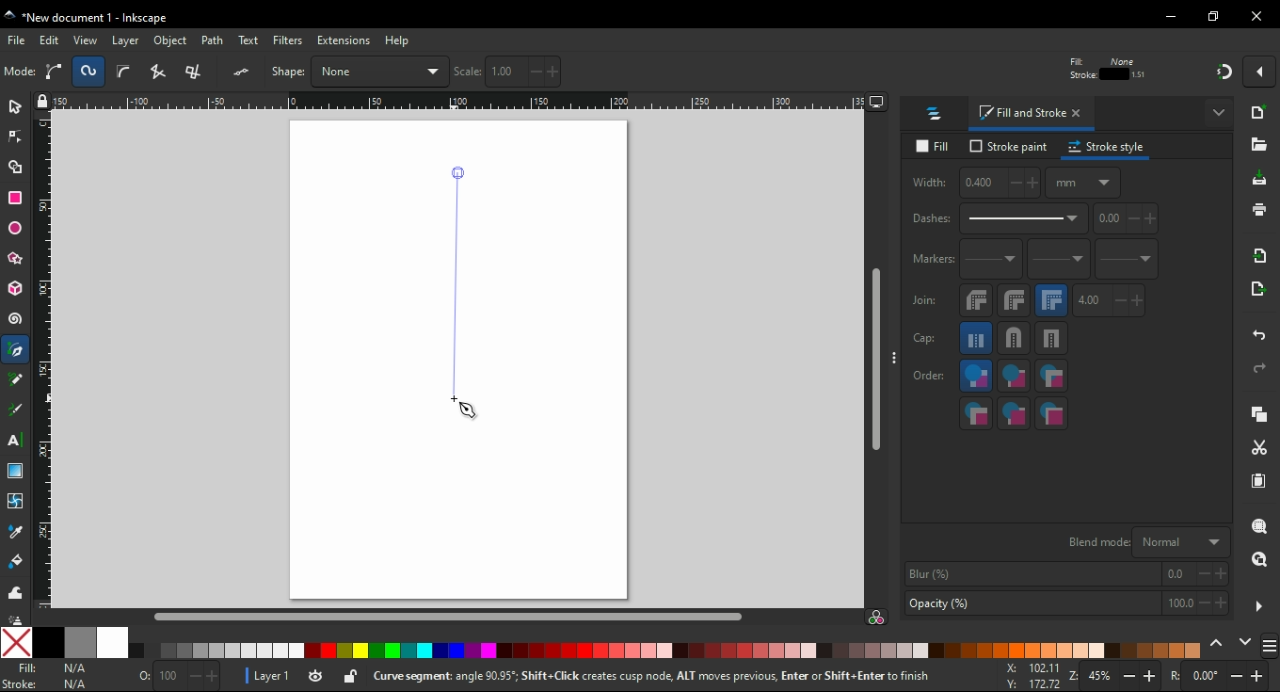 This screenshot has width=1280, height=692. I want to click on new, so click(1261, 112).